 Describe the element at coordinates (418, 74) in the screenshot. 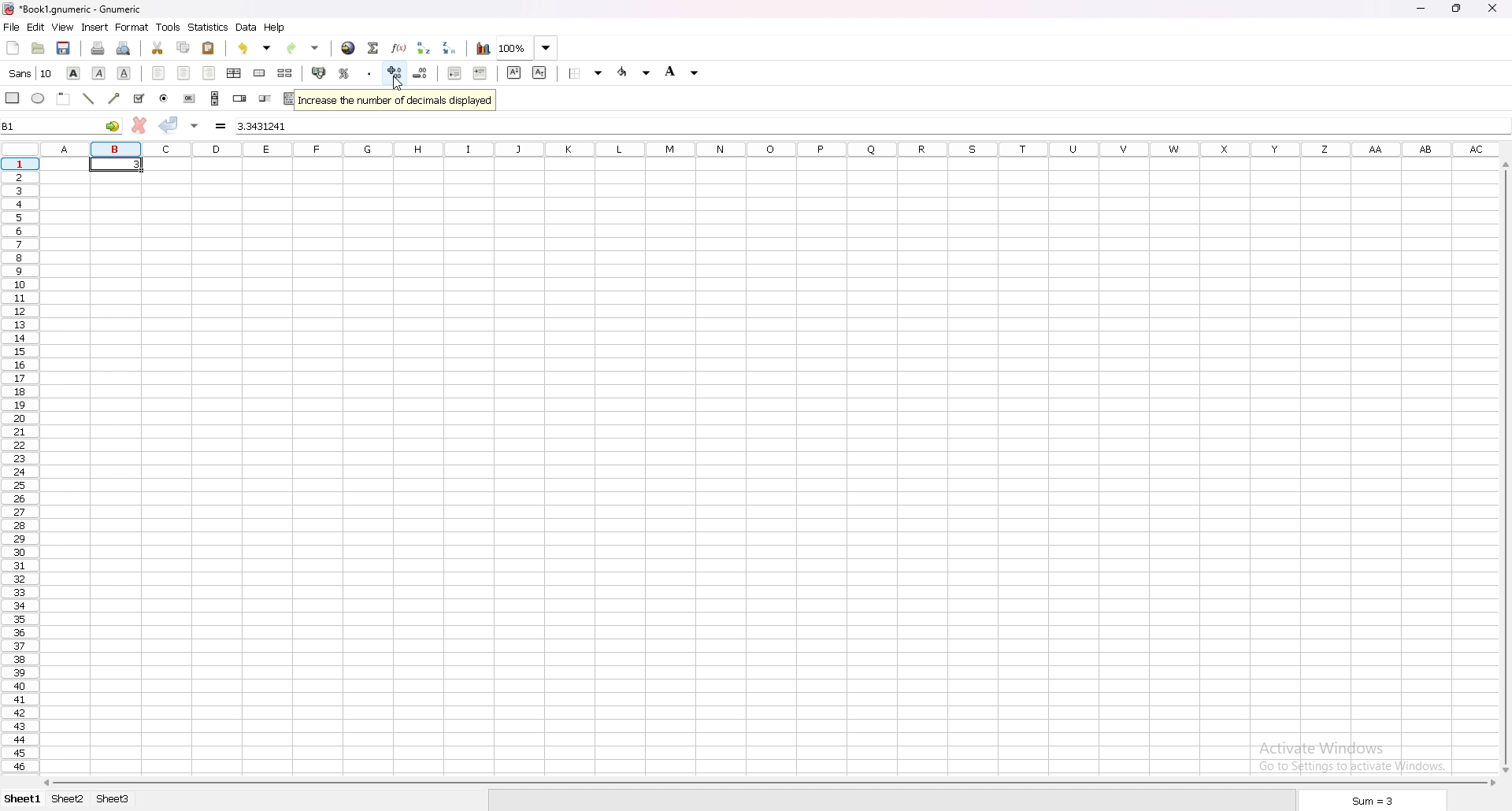

I see `decrease decimal` at that location.